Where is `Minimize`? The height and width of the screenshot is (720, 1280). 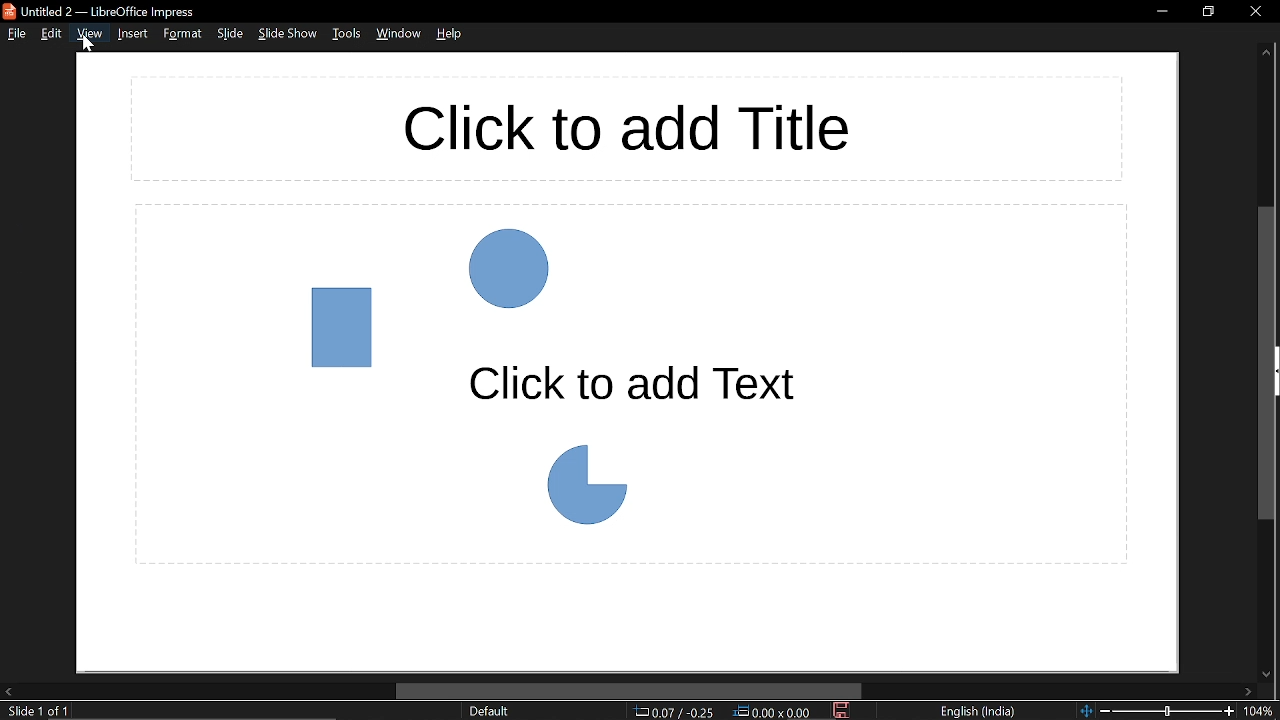
Minimize is located at coordinates (1160, 13).